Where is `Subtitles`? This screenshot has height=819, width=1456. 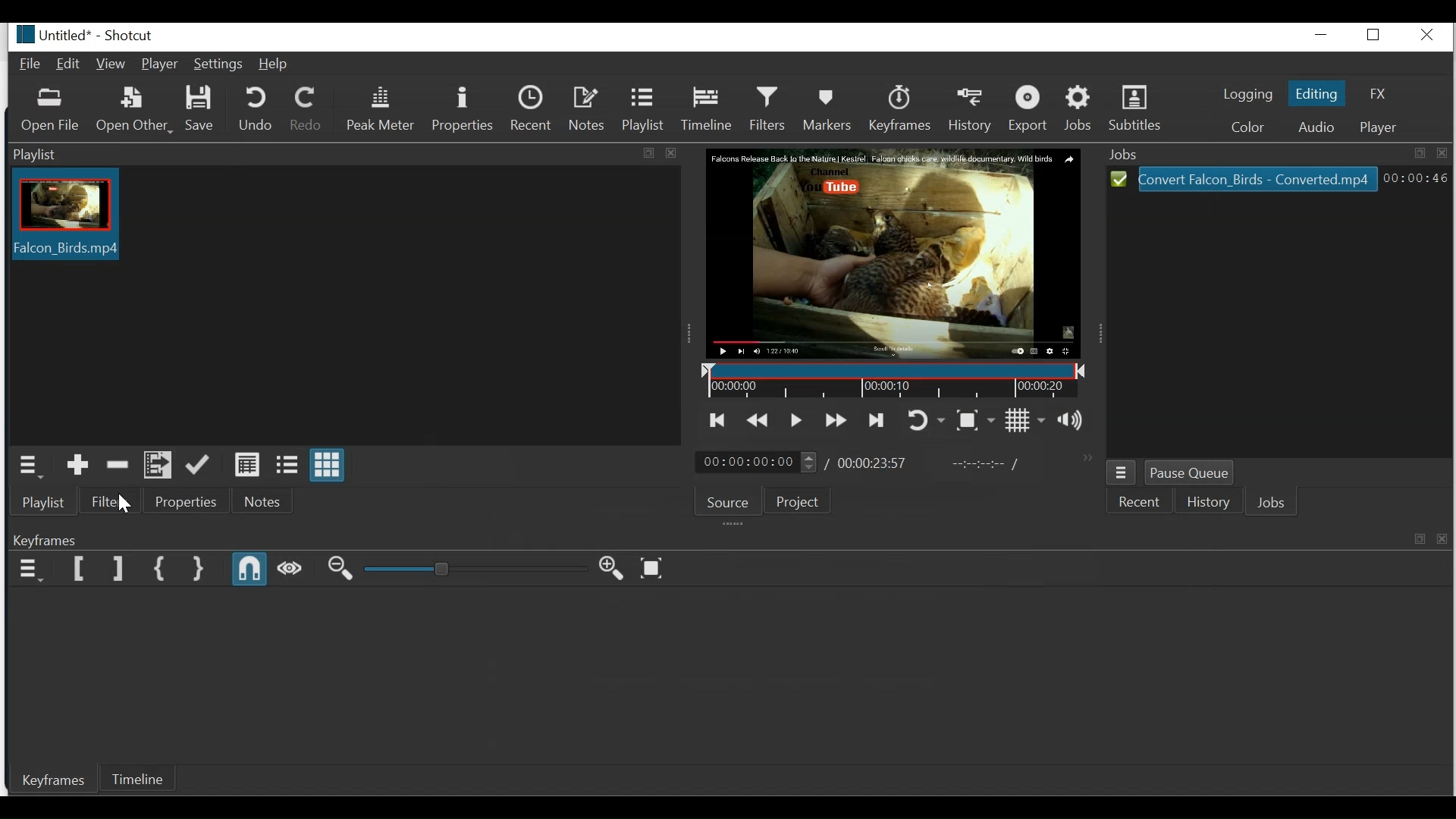 Subtitles is located at coordinates (1135, 108).